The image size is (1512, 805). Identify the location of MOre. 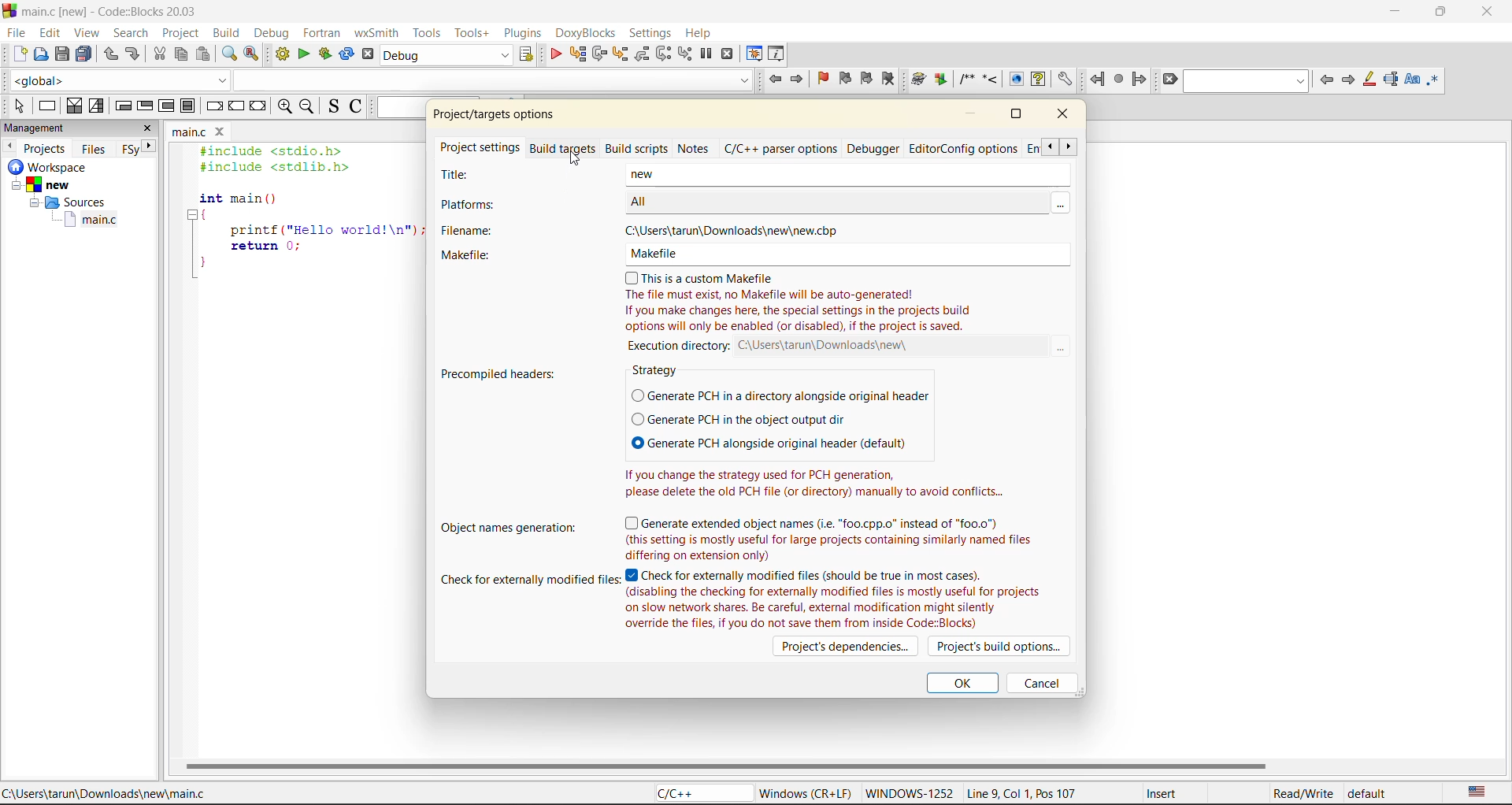
(1066, 202).